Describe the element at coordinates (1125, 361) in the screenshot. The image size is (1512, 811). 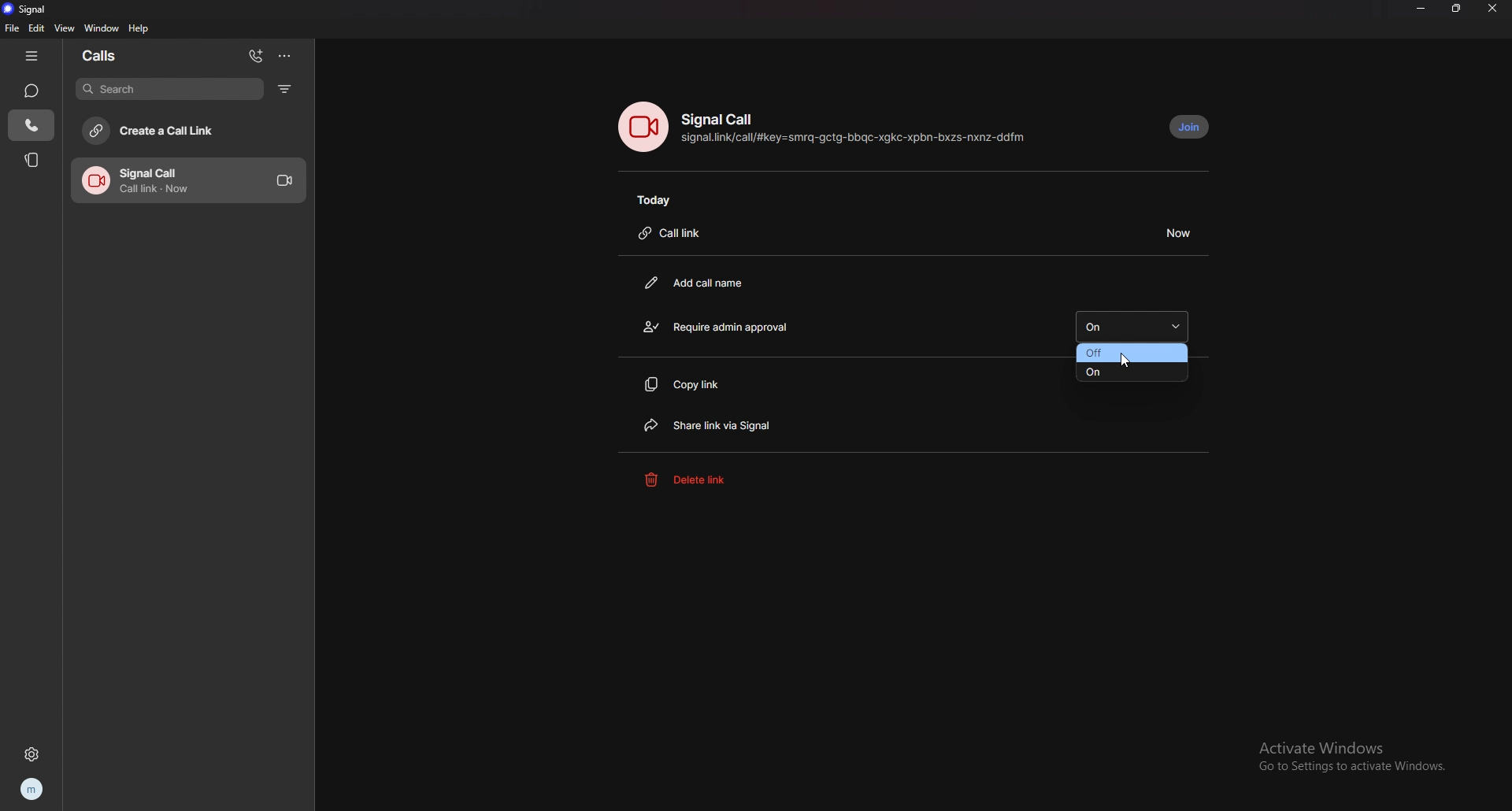
I see `cursor` at that location.